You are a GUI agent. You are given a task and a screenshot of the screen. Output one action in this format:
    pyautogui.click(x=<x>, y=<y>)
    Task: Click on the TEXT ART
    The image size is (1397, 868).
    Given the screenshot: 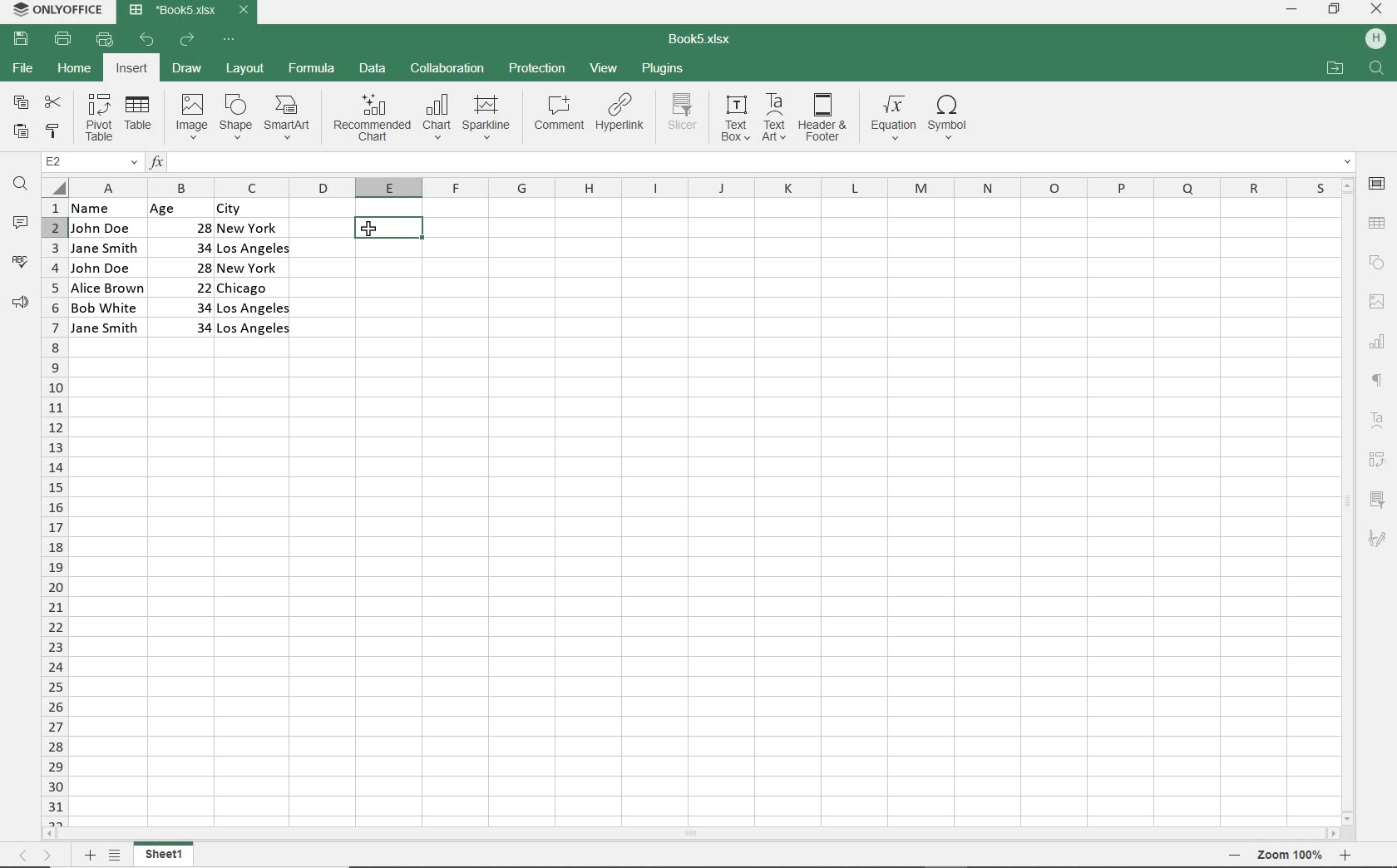 What is the action you would take?
    pyautogui.click(x=1379, y=417)
    